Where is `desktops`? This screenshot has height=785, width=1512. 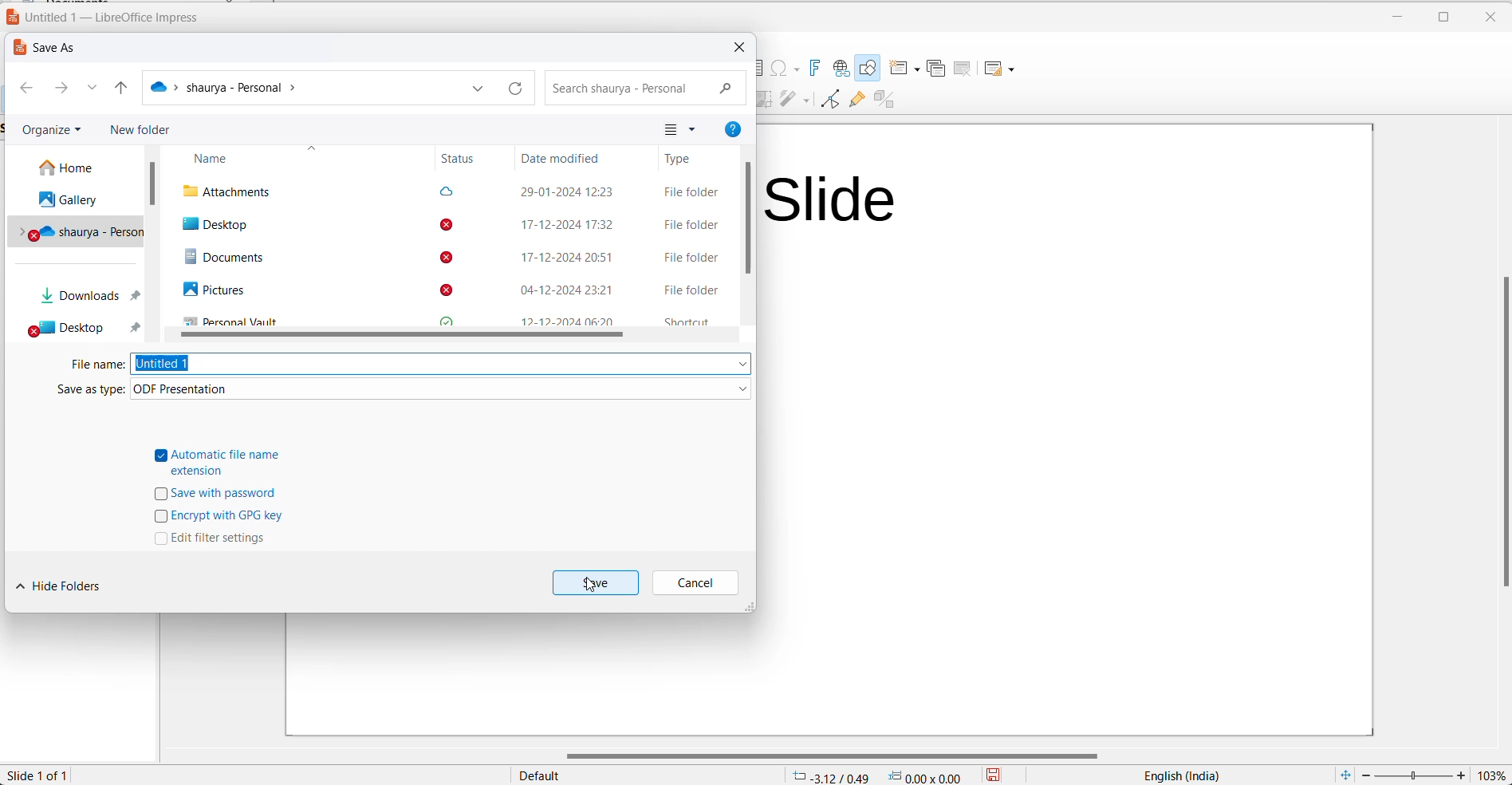 desktops is located at coordinates (84, 328).